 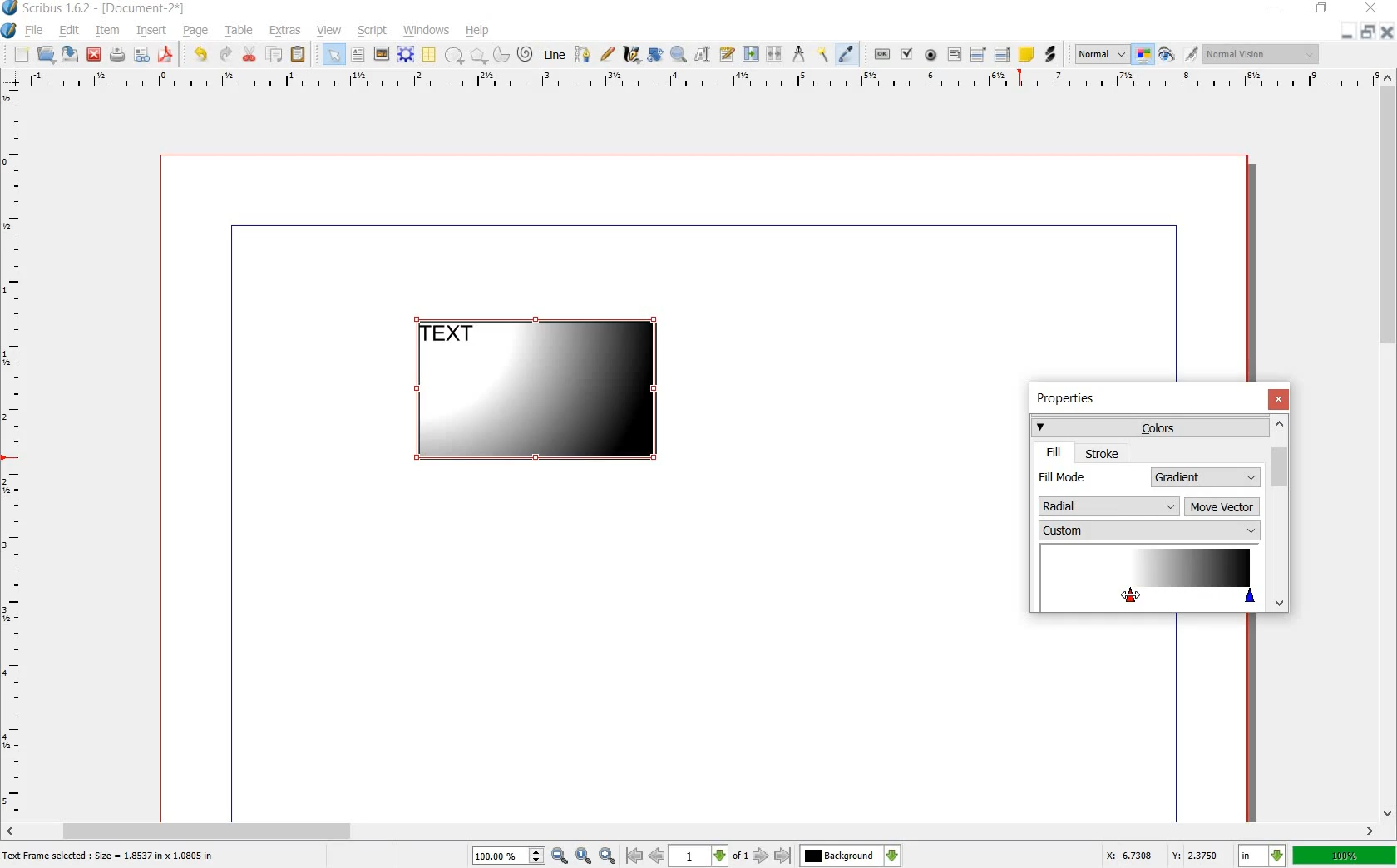 What do you see at coordinates (240, 32) in the screenshot?
I see `table` at bounding box center [240, 32].